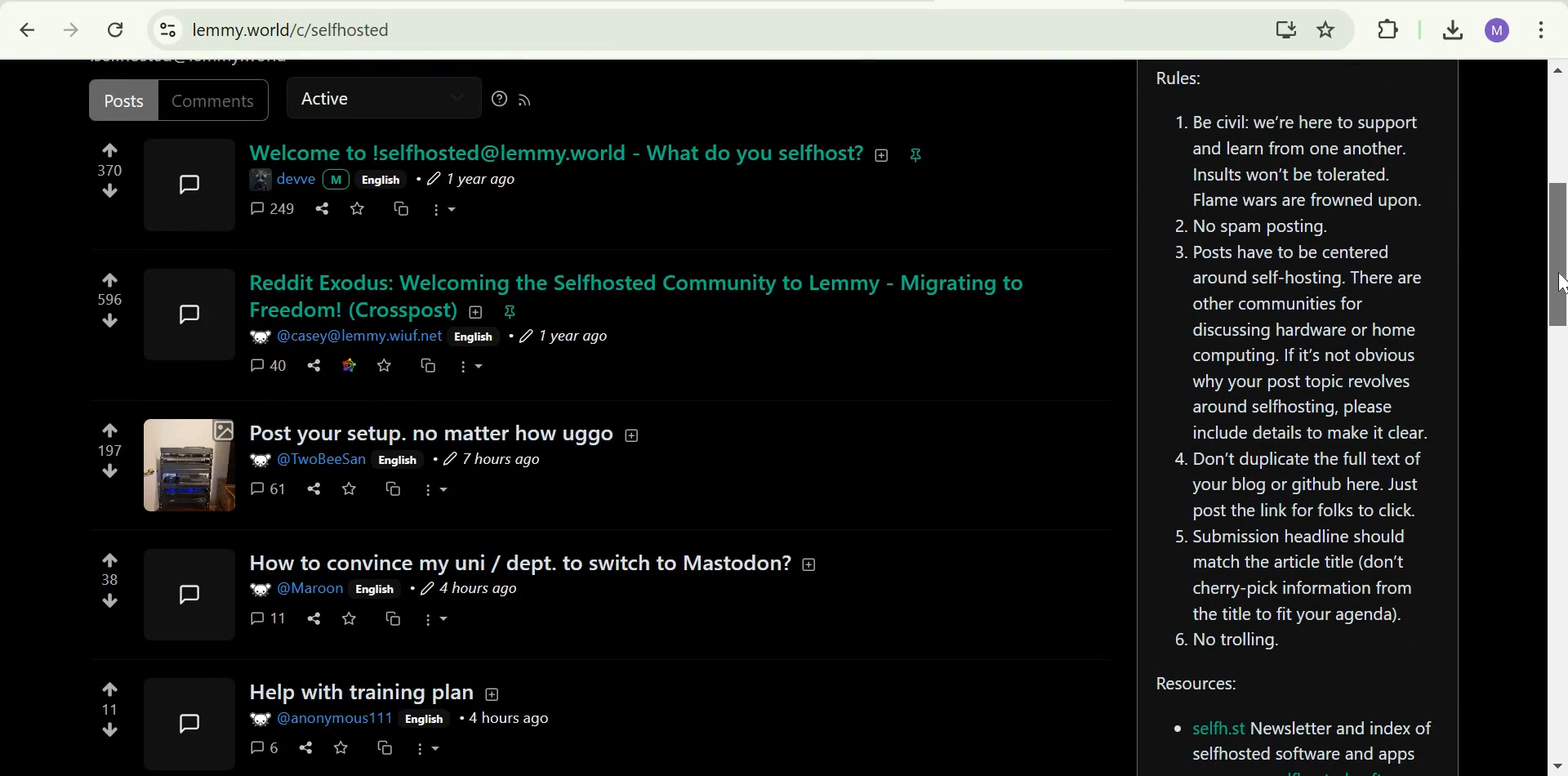 This screenshot has width=1568, height=776. Describe the element at coordinates (430, 433) in the screenshot. I see `Post your setup. no matter how uggo` at that location.